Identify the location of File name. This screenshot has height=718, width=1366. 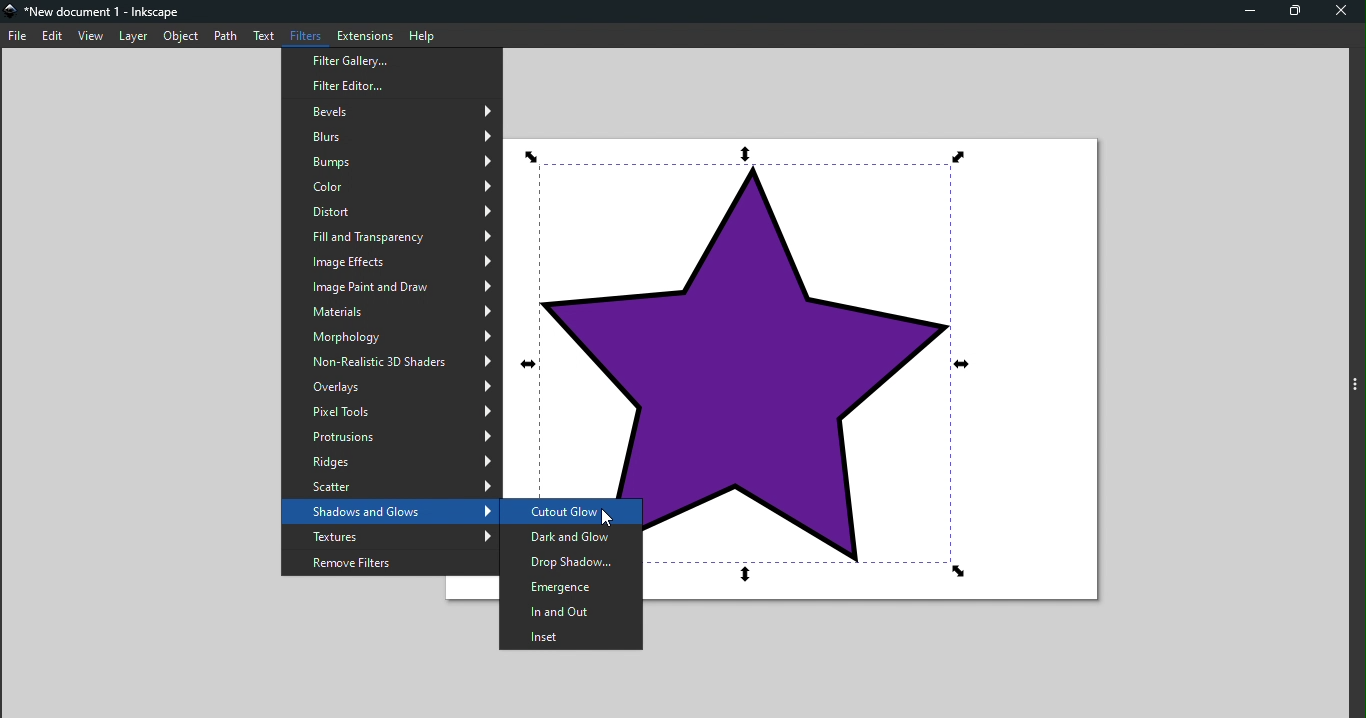
(95, 12).